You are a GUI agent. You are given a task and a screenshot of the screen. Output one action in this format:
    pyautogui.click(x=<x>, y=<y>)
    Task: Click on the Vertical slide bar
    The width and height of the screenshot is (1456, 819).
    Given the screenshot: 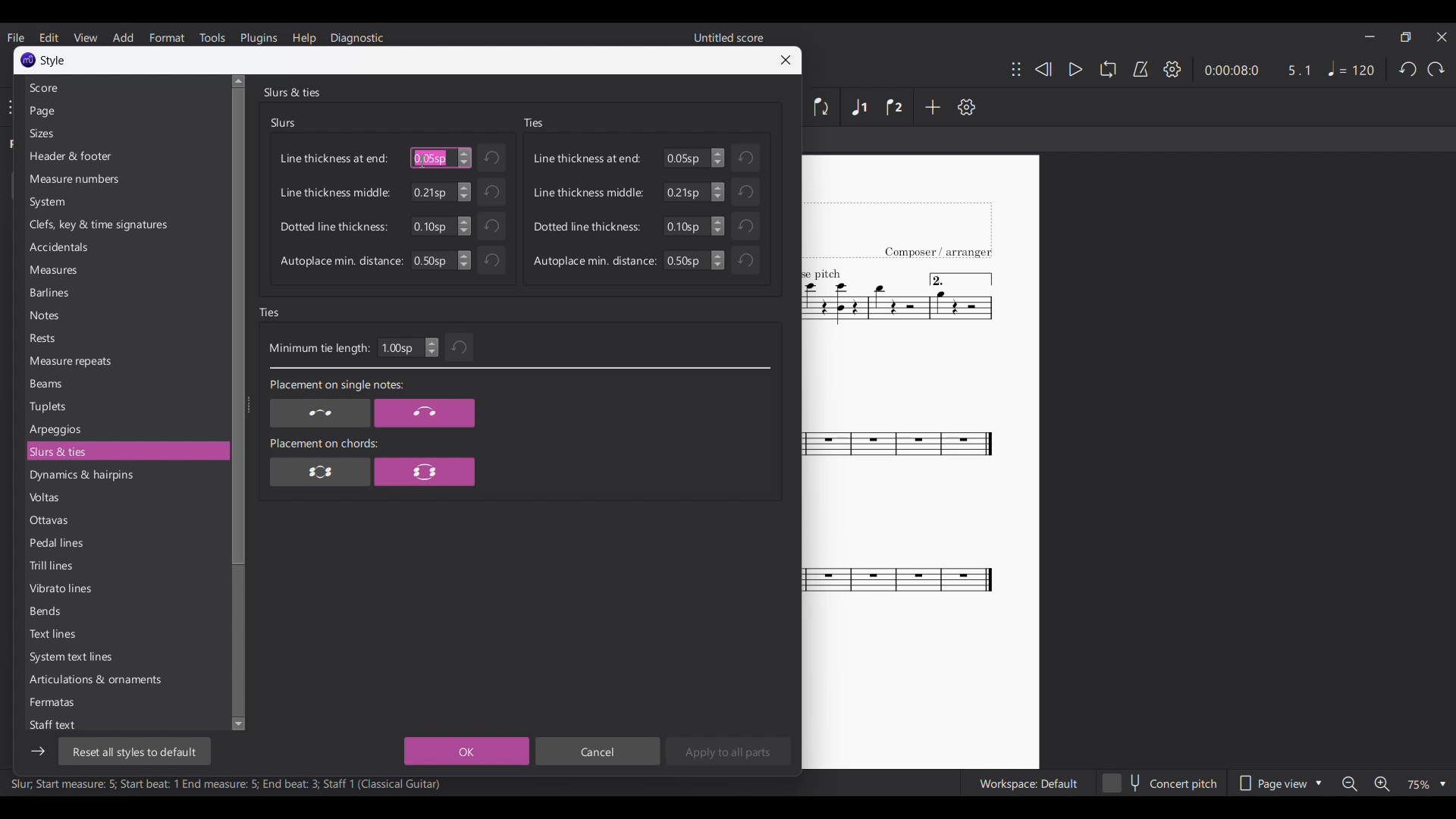 What is the action you would take?
    pyautogui.click(x=235, y=403)
    